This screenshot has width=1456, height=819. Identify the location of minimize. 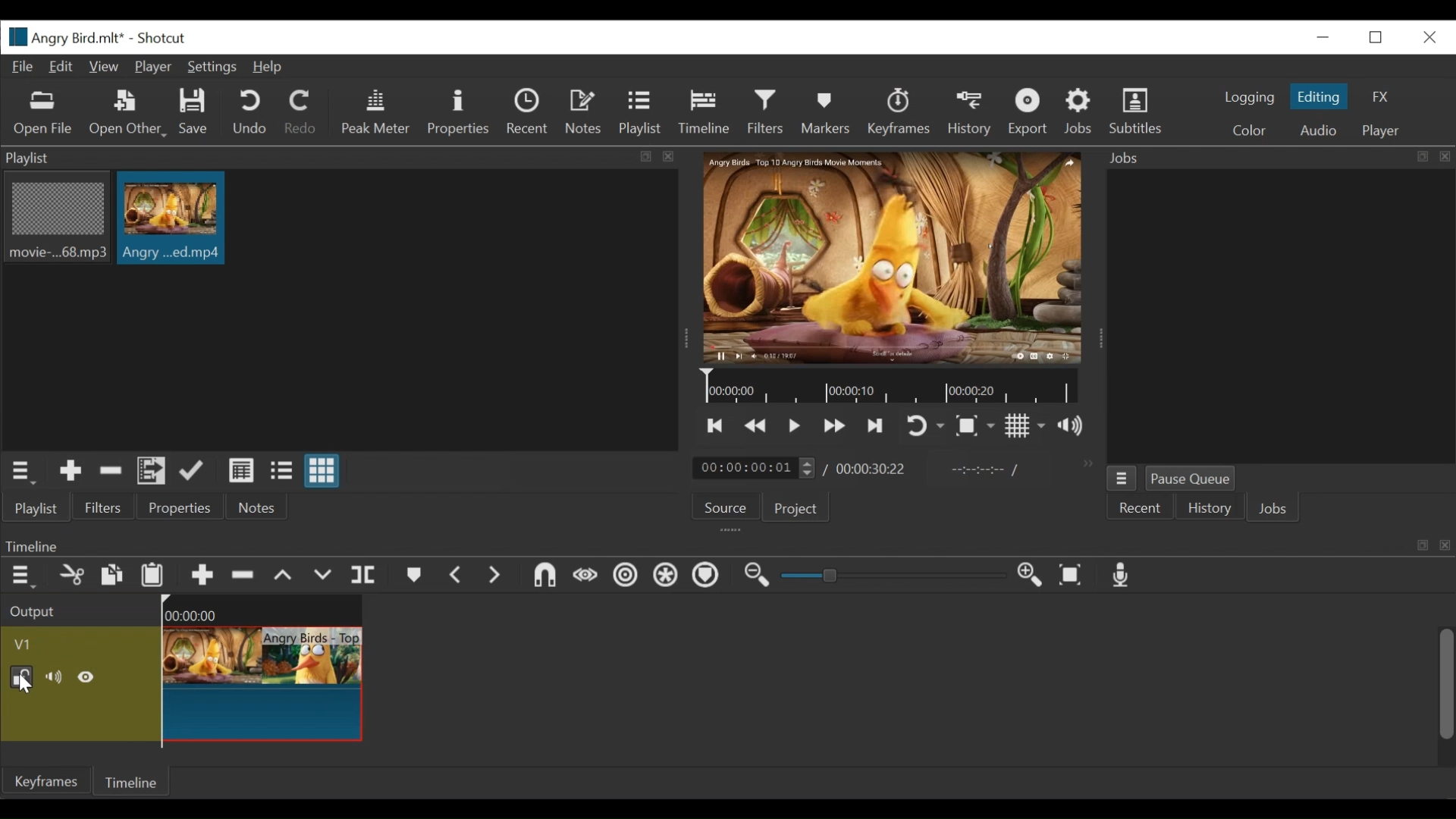
(1320, 38).